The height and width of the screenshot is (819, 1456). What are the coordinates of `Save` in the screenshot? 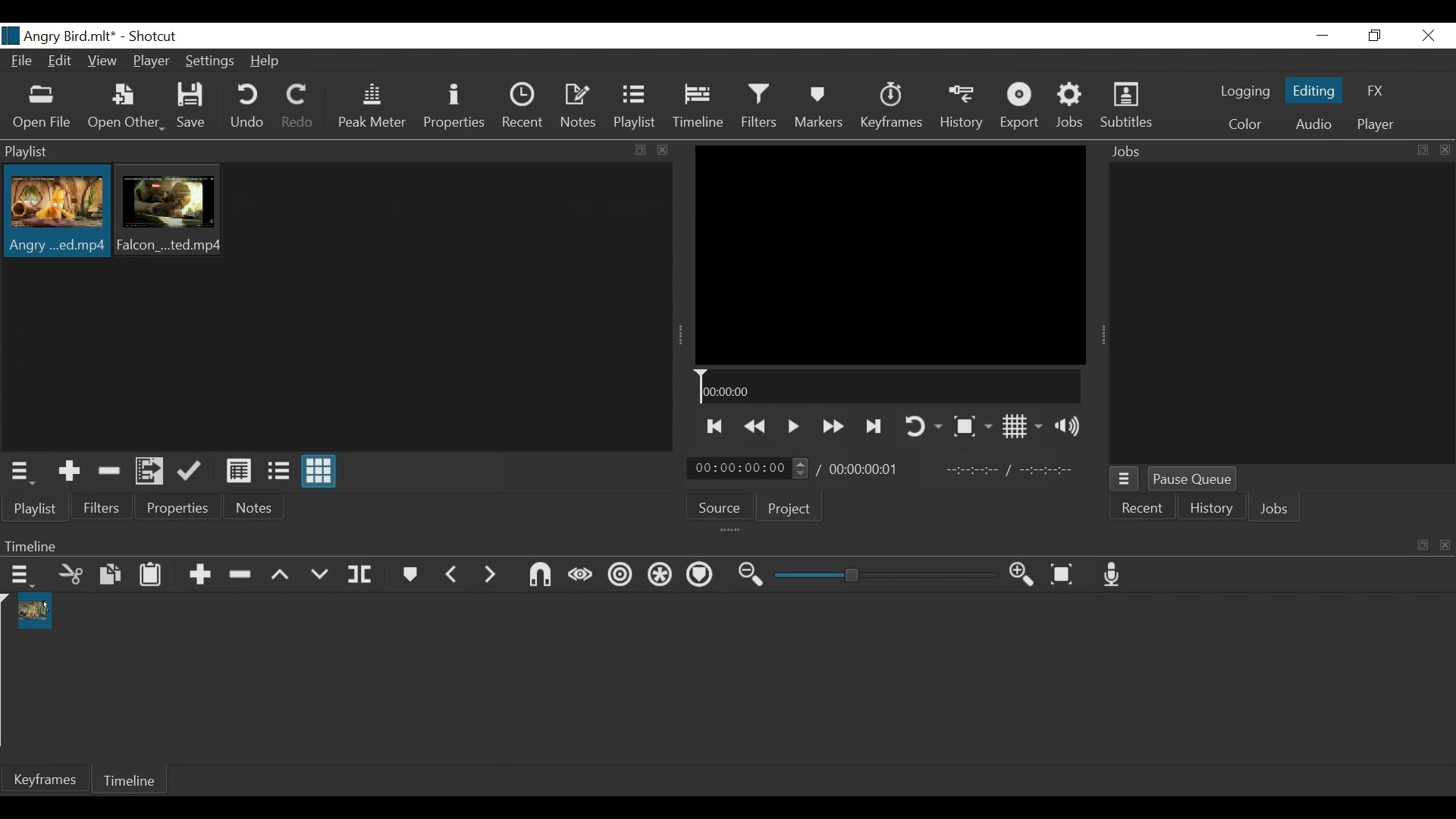 It's located at (194, 107).